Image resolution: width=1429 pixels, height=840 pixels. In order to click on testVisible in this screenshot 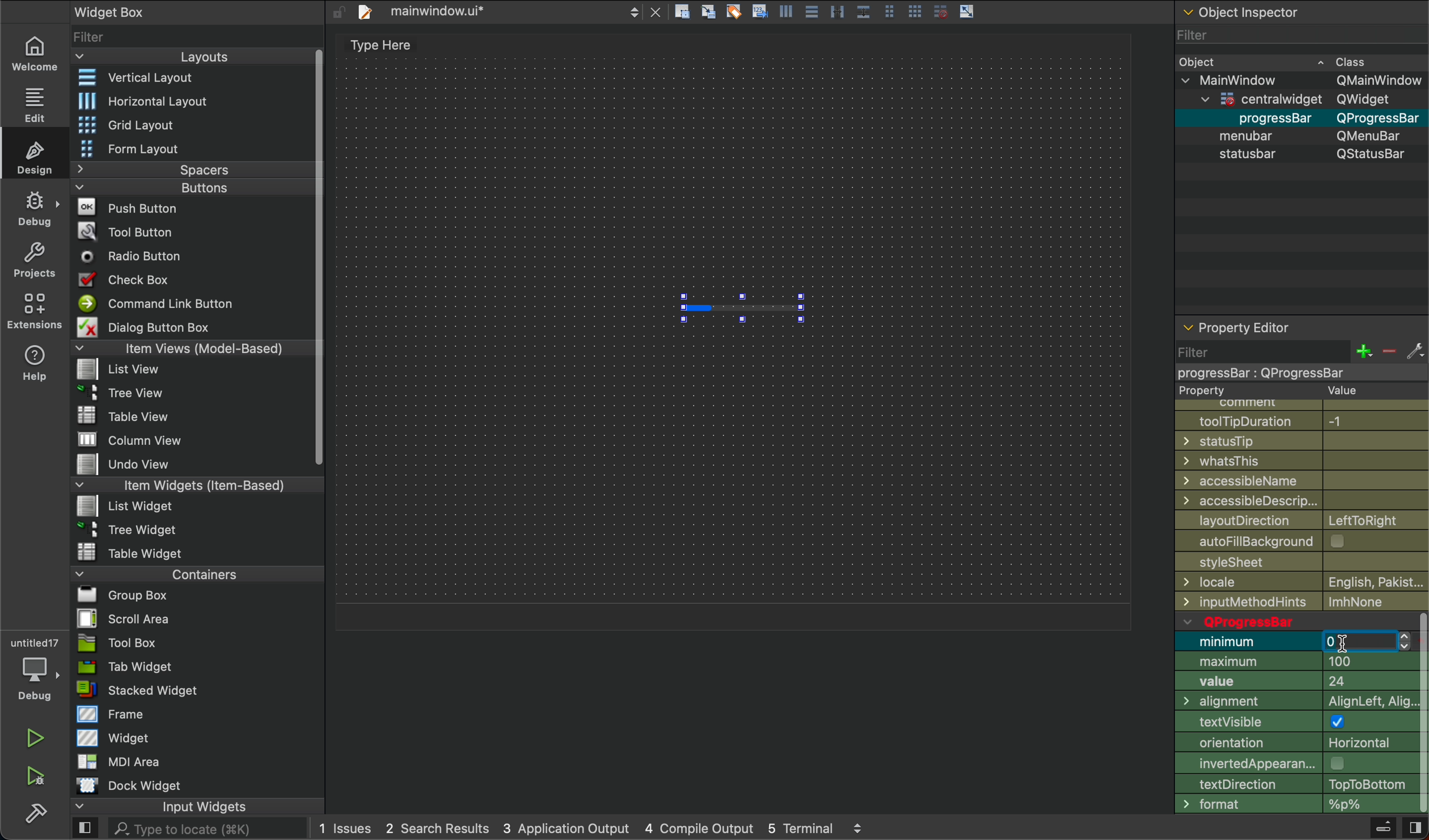, I will do `click(1294, 724)`.